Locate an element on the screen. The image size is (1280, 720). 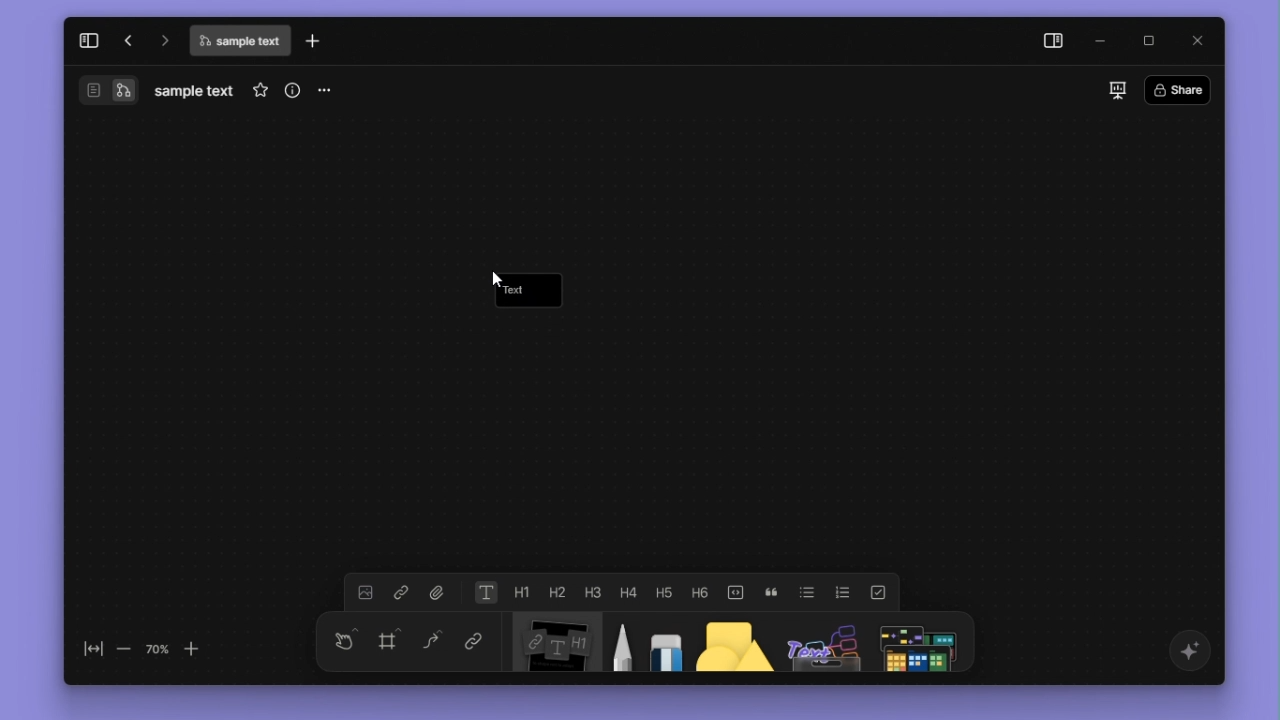
file name is located at coordinates (239, 43).